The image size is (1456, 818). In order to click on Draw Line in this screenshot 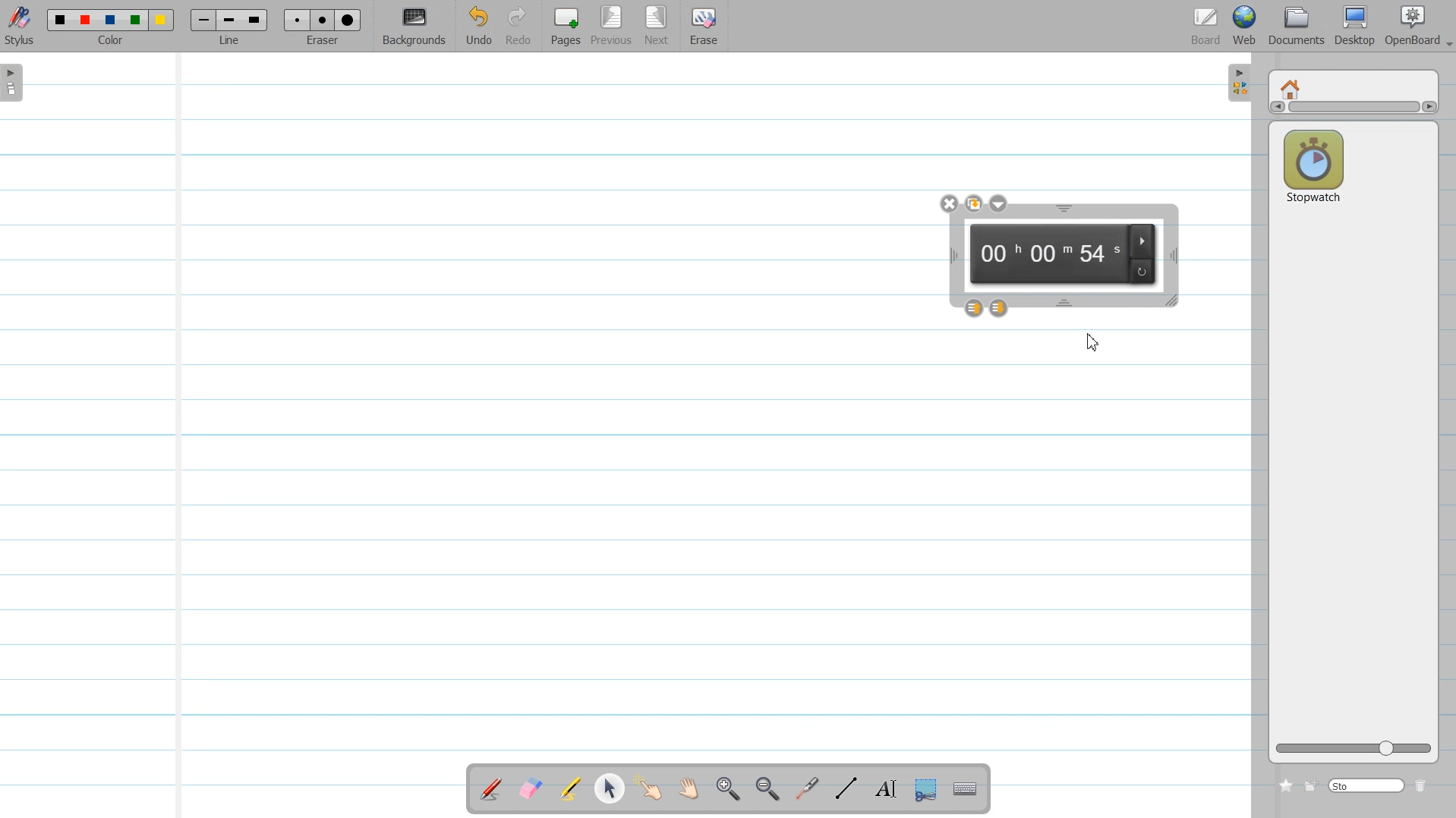, I will do `click(847, 789)`.